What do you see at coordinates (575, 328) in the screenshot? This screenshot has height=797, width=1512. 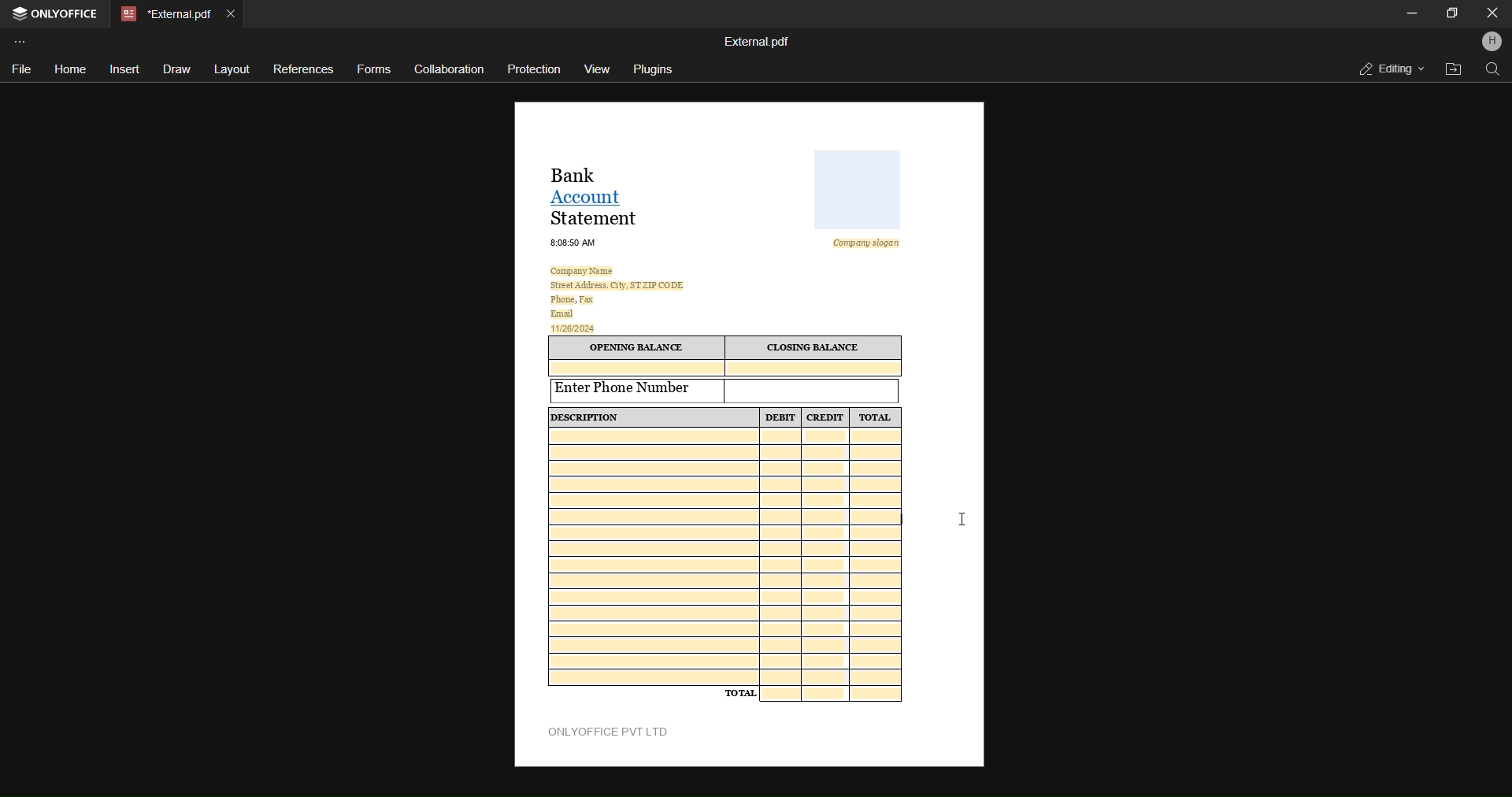 I see `11/26/2024` at bounding box center [575, 328].